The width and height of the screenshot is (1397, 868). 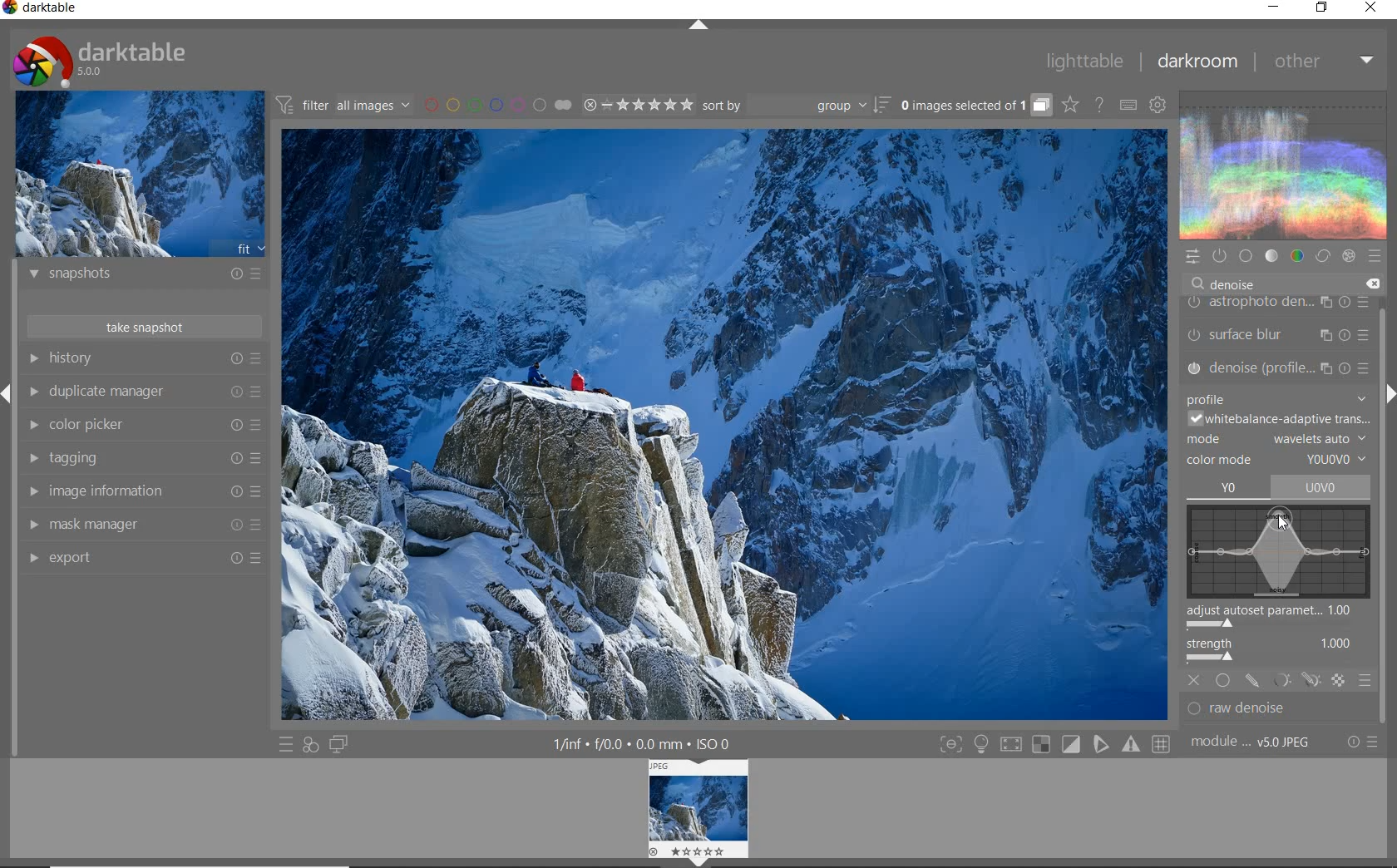 What do you see at coordinates (1371, 8) in the screenshot?
I see `close` at bounding box center [1371, 8].